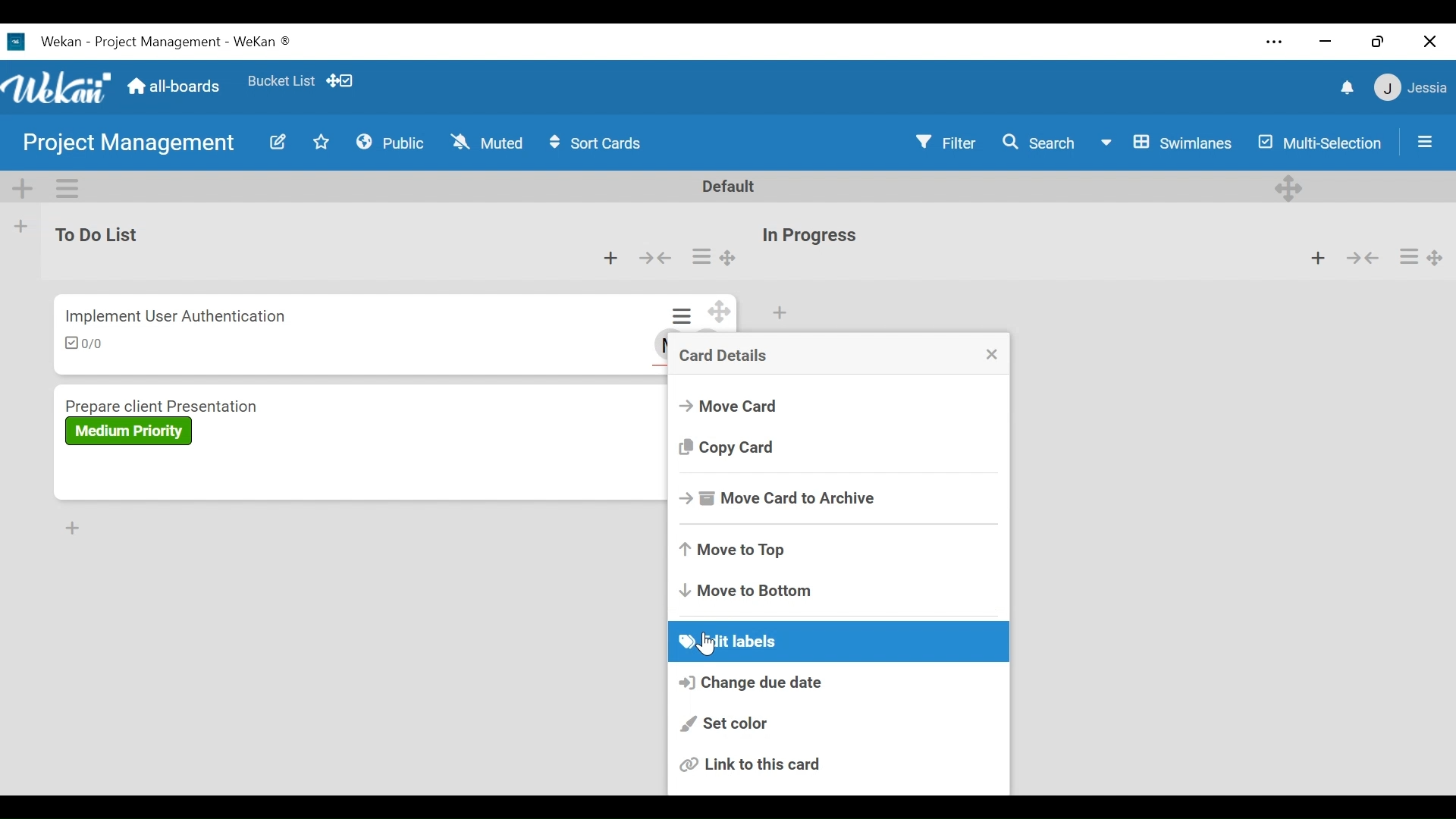  What do you see at coordinates (731, 407) in the screenshot?
I see `Move Card` at bounding box center [731, 407].